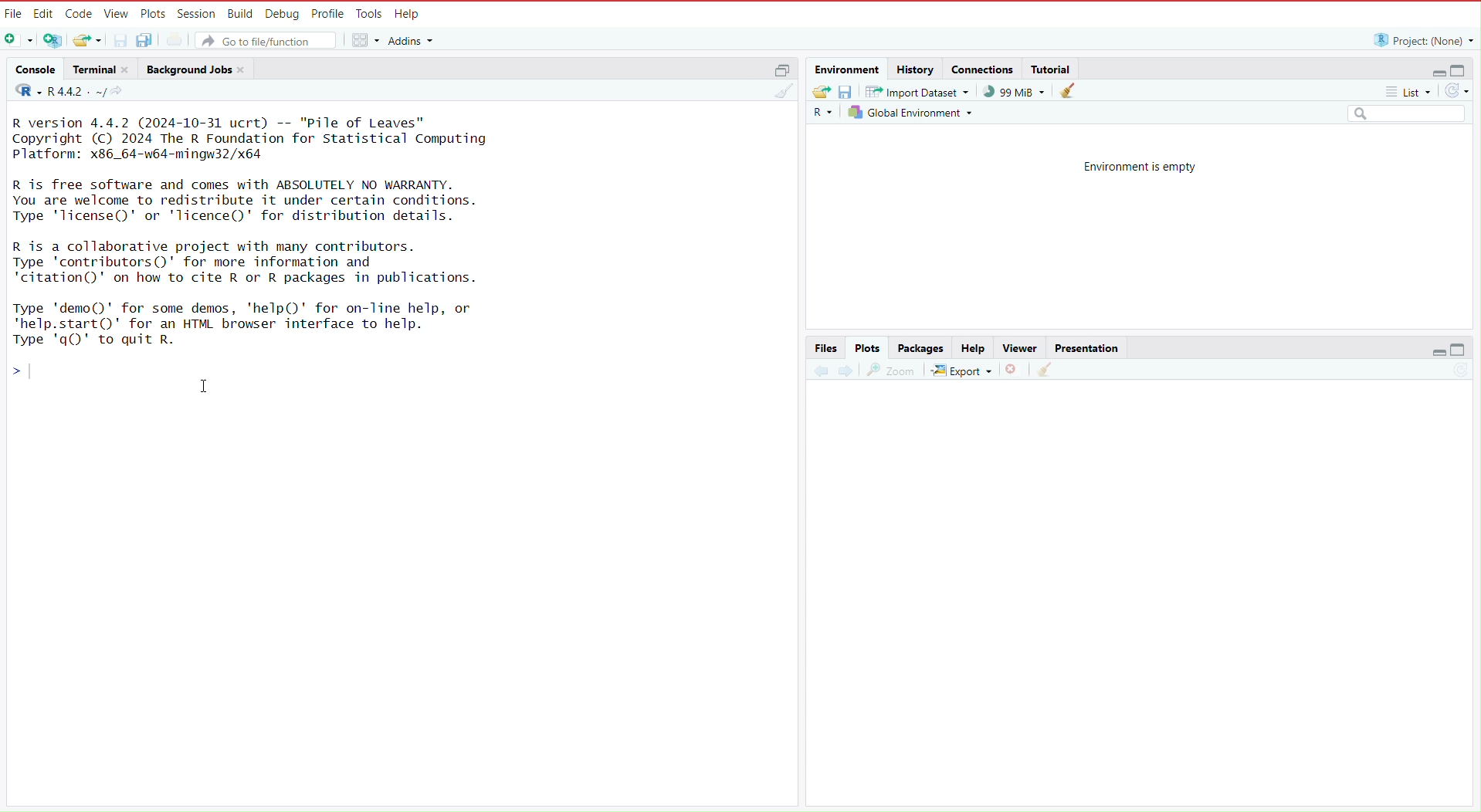 This screenshot has height=812, width=1481. I want to click on workspace panes, so click(366, 41).